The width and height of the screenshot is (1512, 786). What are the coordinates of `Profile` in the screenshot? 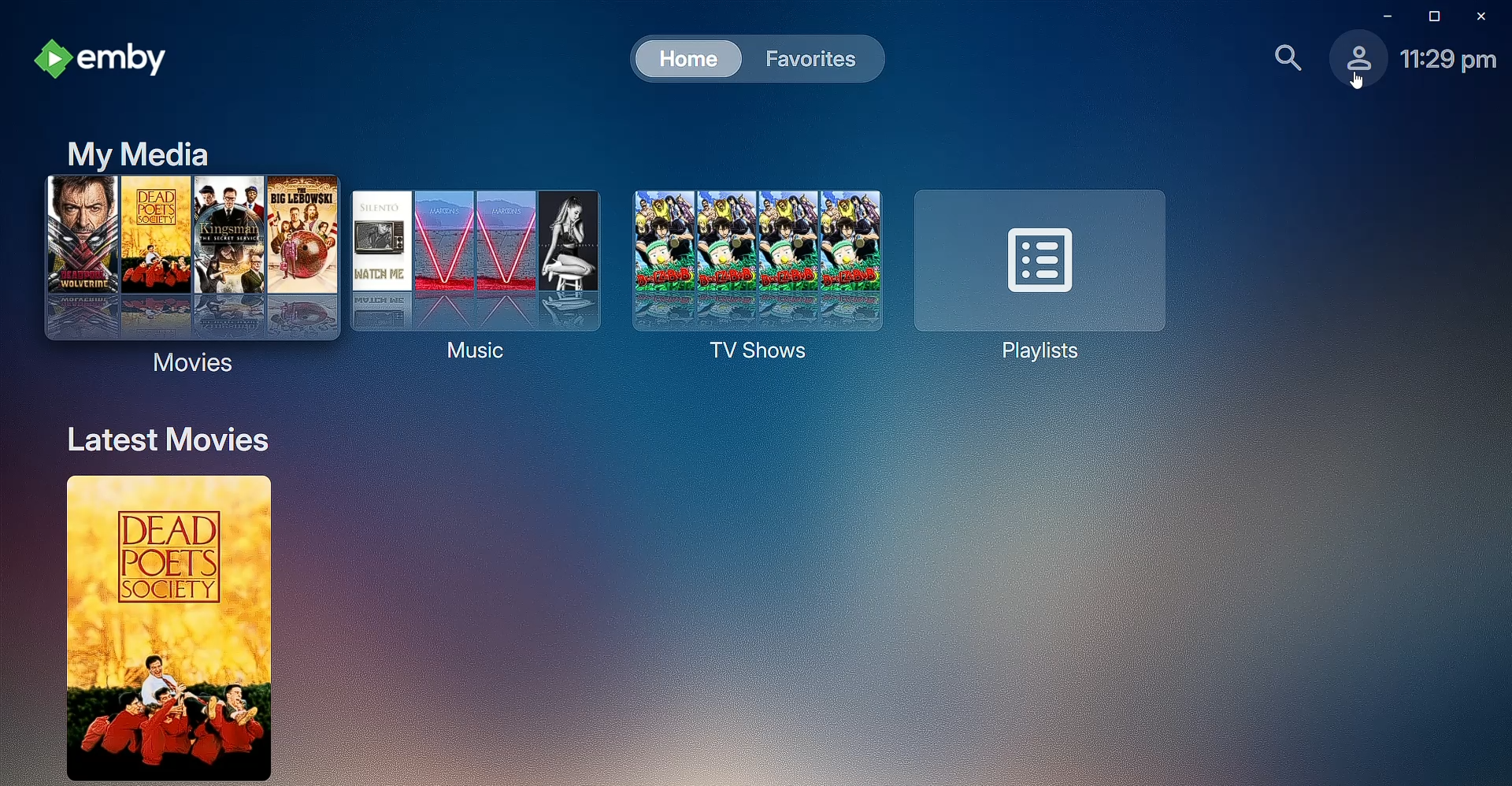 It's located at (1354, 64).